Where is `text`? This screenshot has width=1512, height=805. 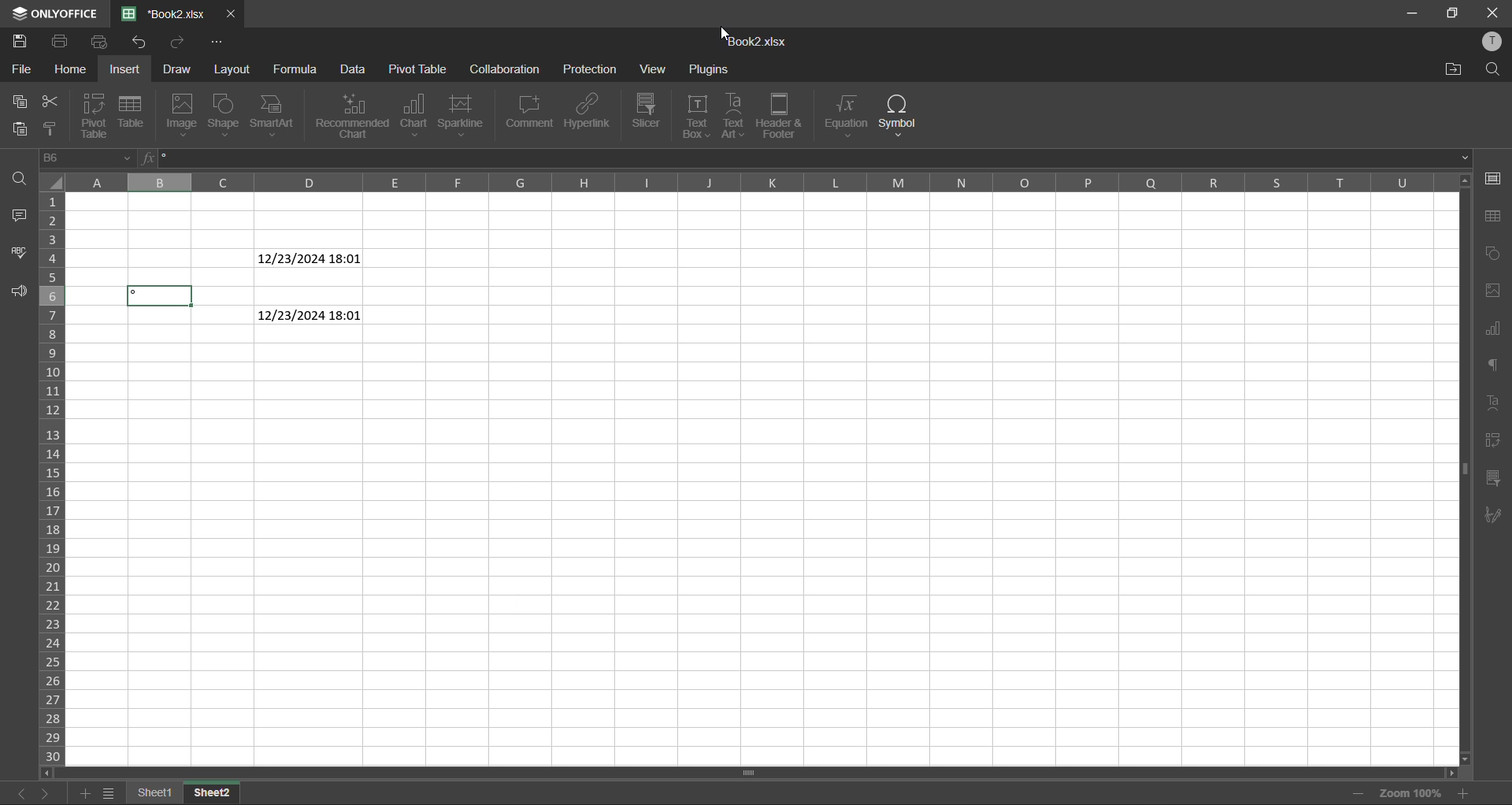
text is located at coordinates (1497, 403).